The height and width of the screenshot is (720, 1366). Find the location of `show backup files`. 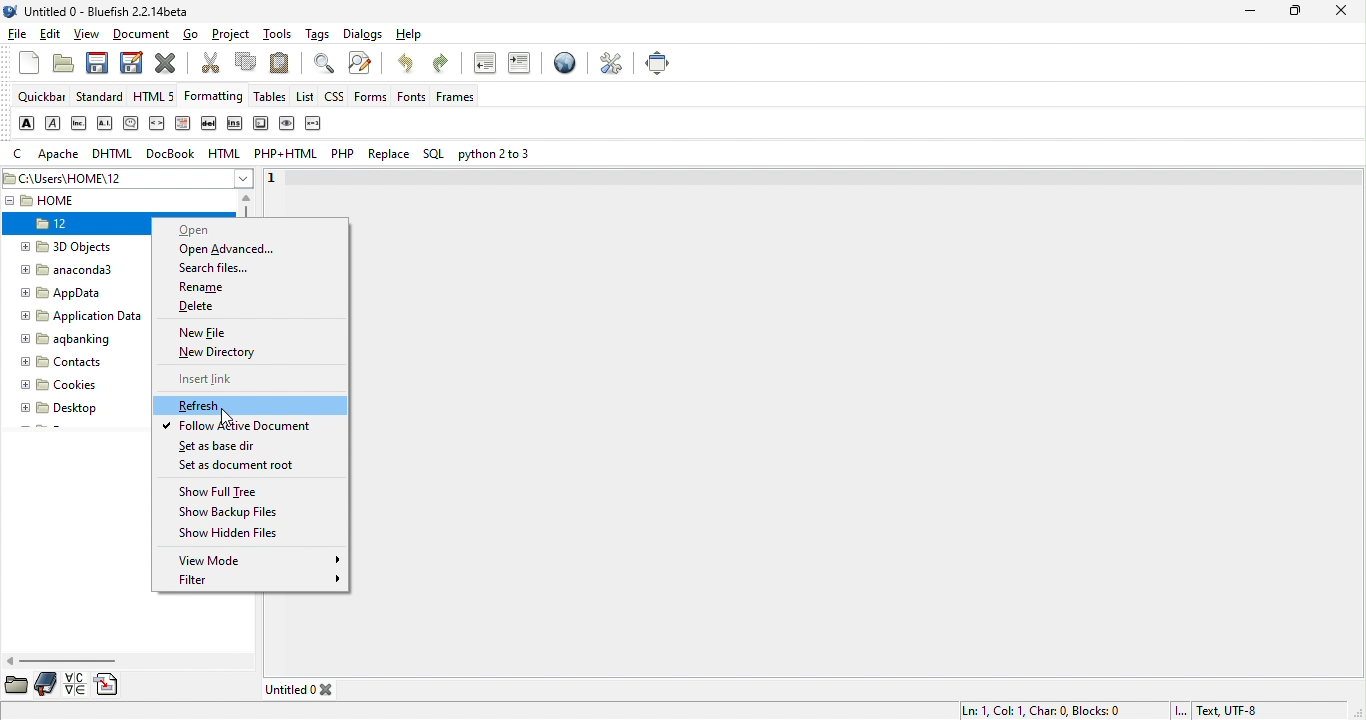

show backup files is located at coordinates (233, 514).